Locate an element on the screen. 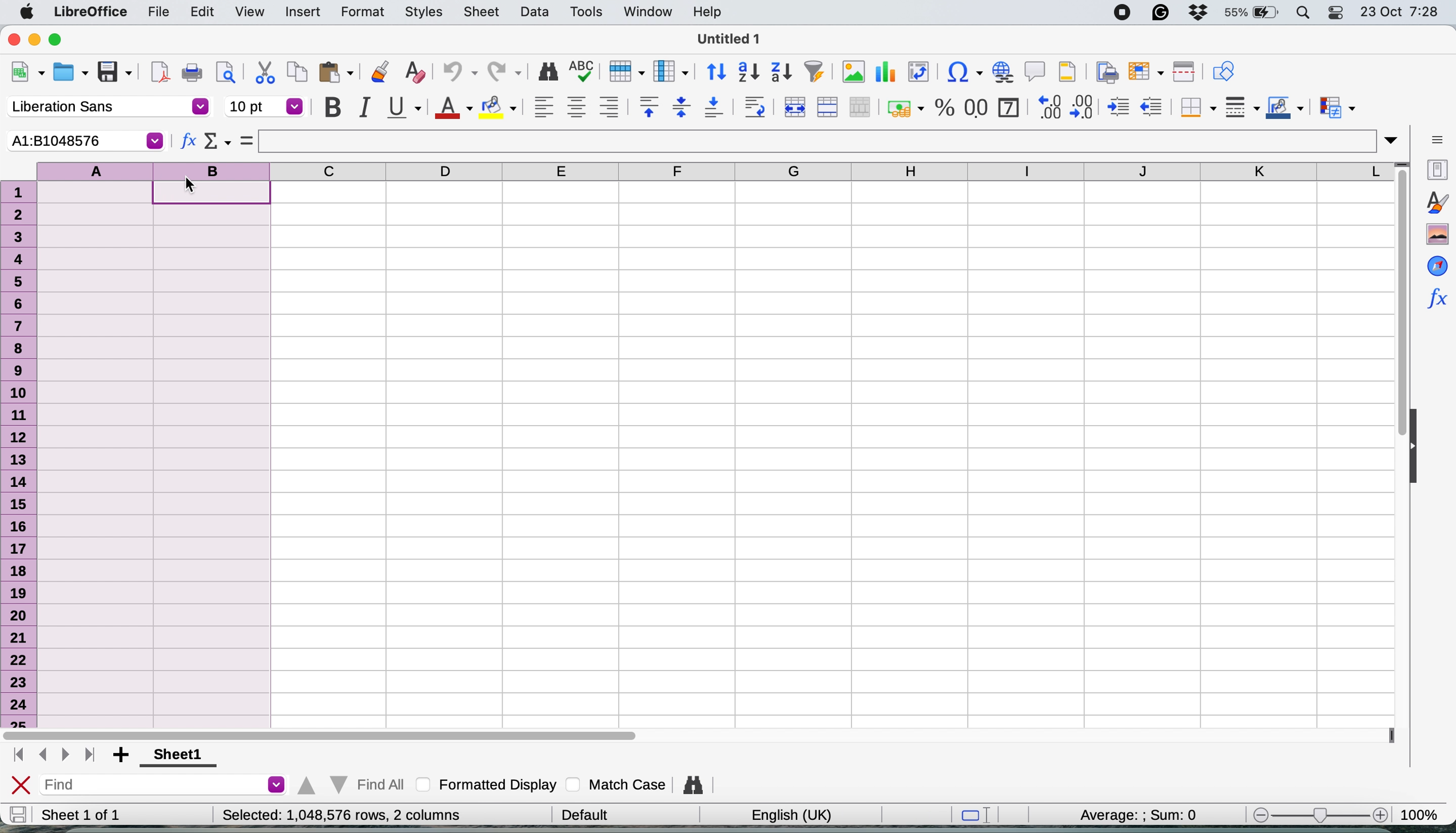  format as currency is located at coordinates (904, 106).